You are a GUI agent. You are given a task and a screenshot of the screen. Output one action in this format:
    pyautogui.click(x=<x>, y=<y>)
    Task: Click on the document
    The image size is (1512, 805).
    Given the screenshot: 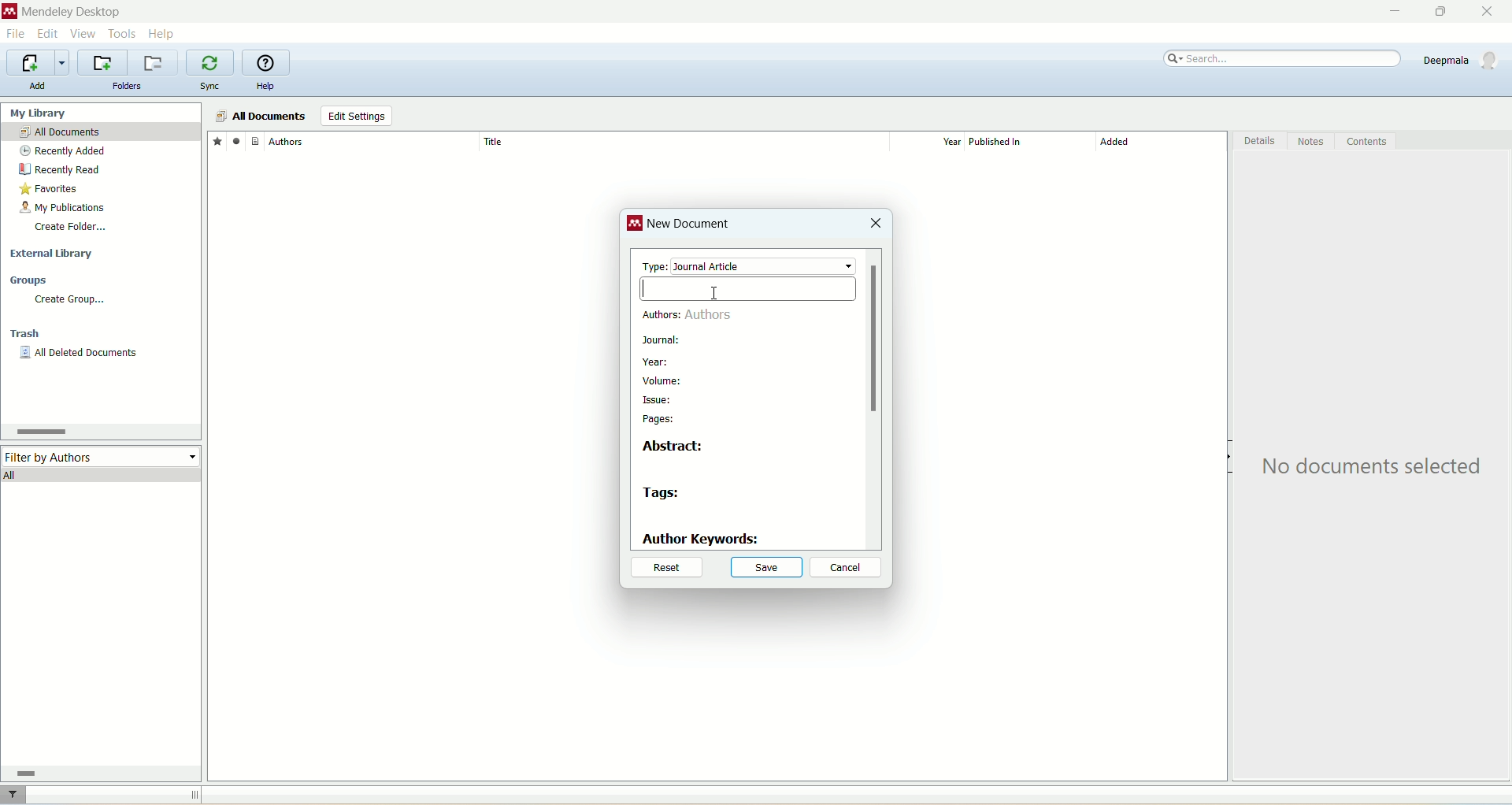 What is the action you would take?
    pyautogui.click(x=255, y=140)
    